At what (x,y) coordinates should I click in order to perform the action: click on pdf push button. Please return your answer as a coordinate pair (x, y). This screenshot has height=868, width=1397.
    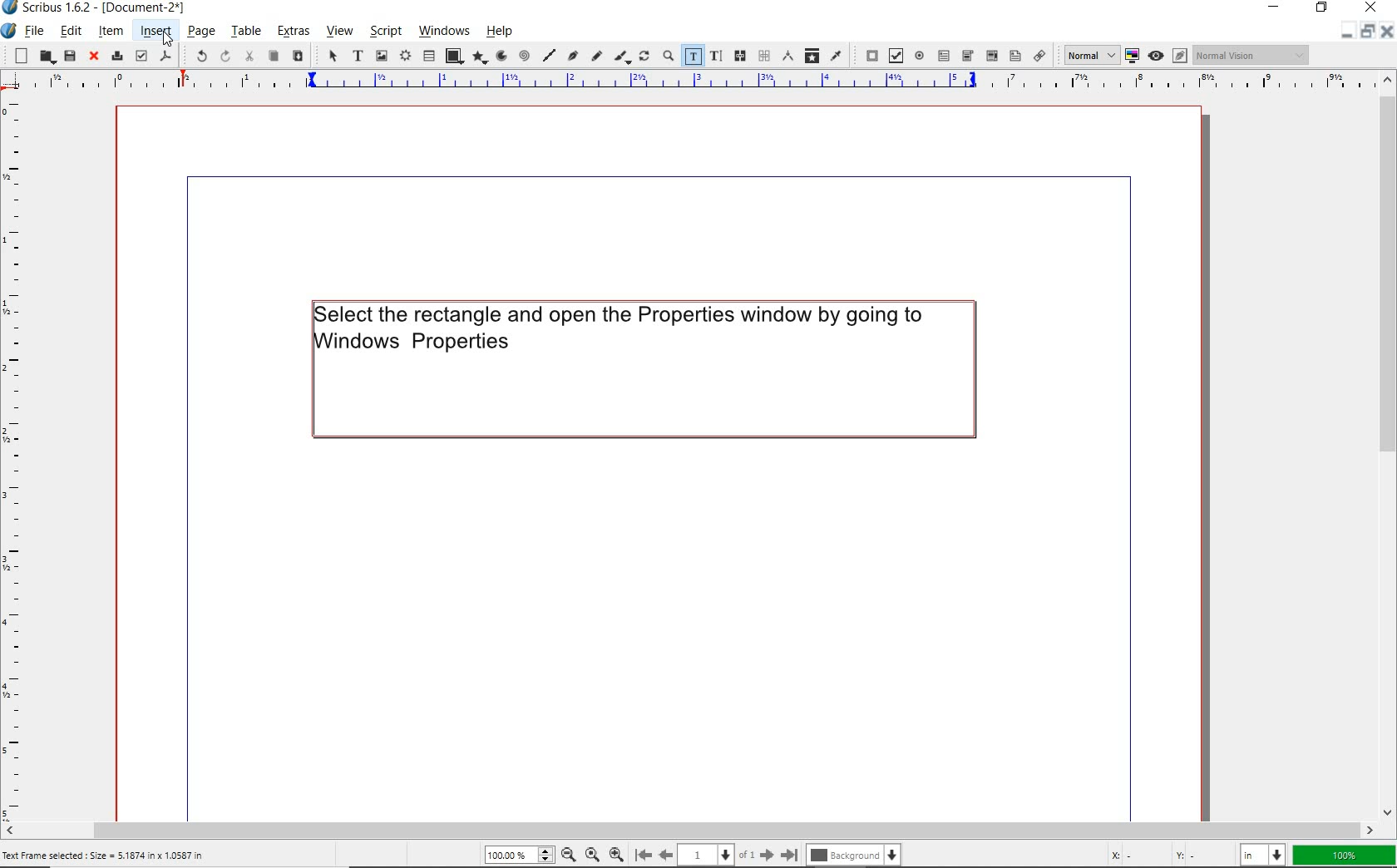
    Looking at the image, I should click on (867, 53).